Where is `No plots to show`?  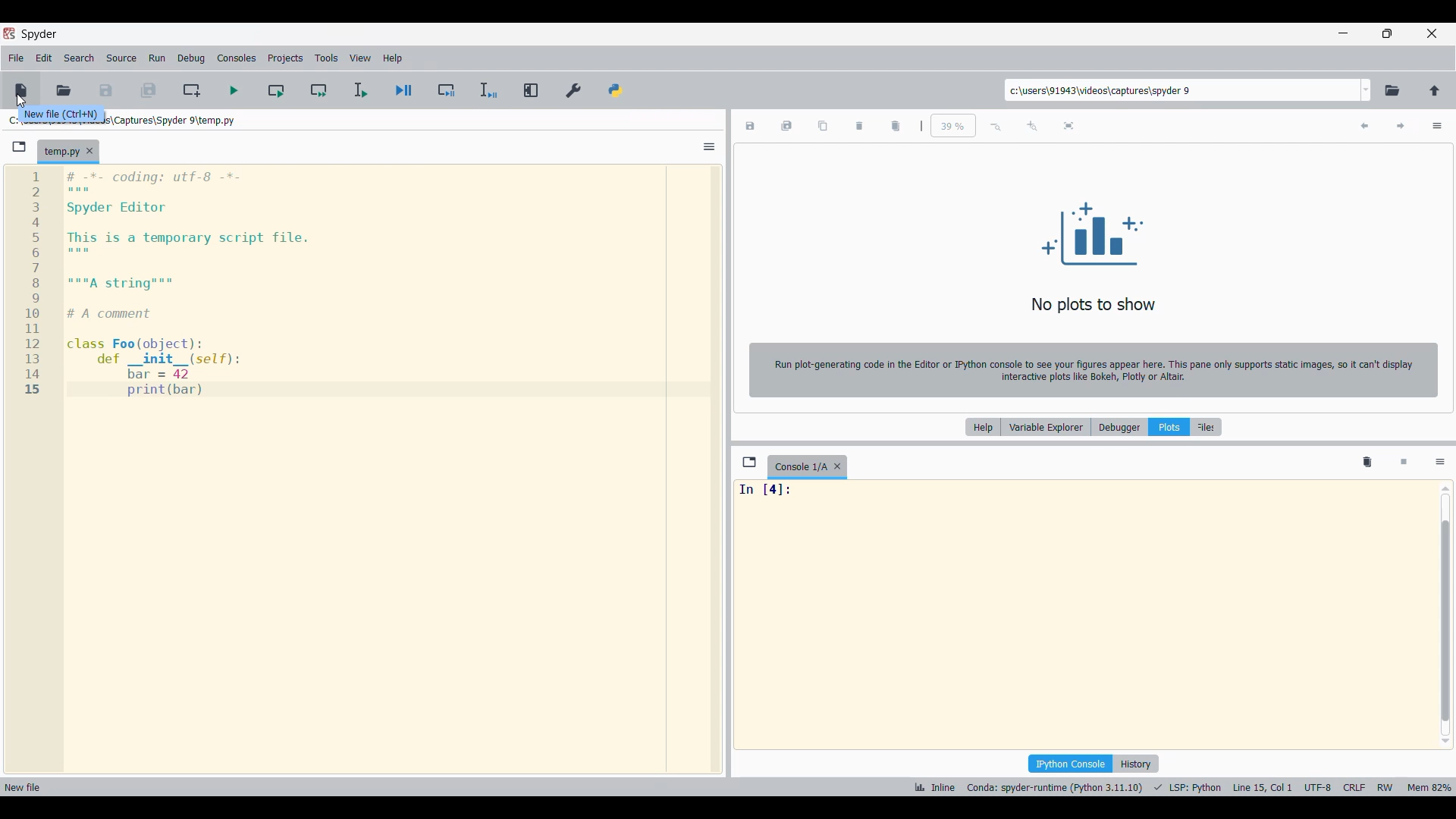 No plots to show is located at coordinates (1098, 255).